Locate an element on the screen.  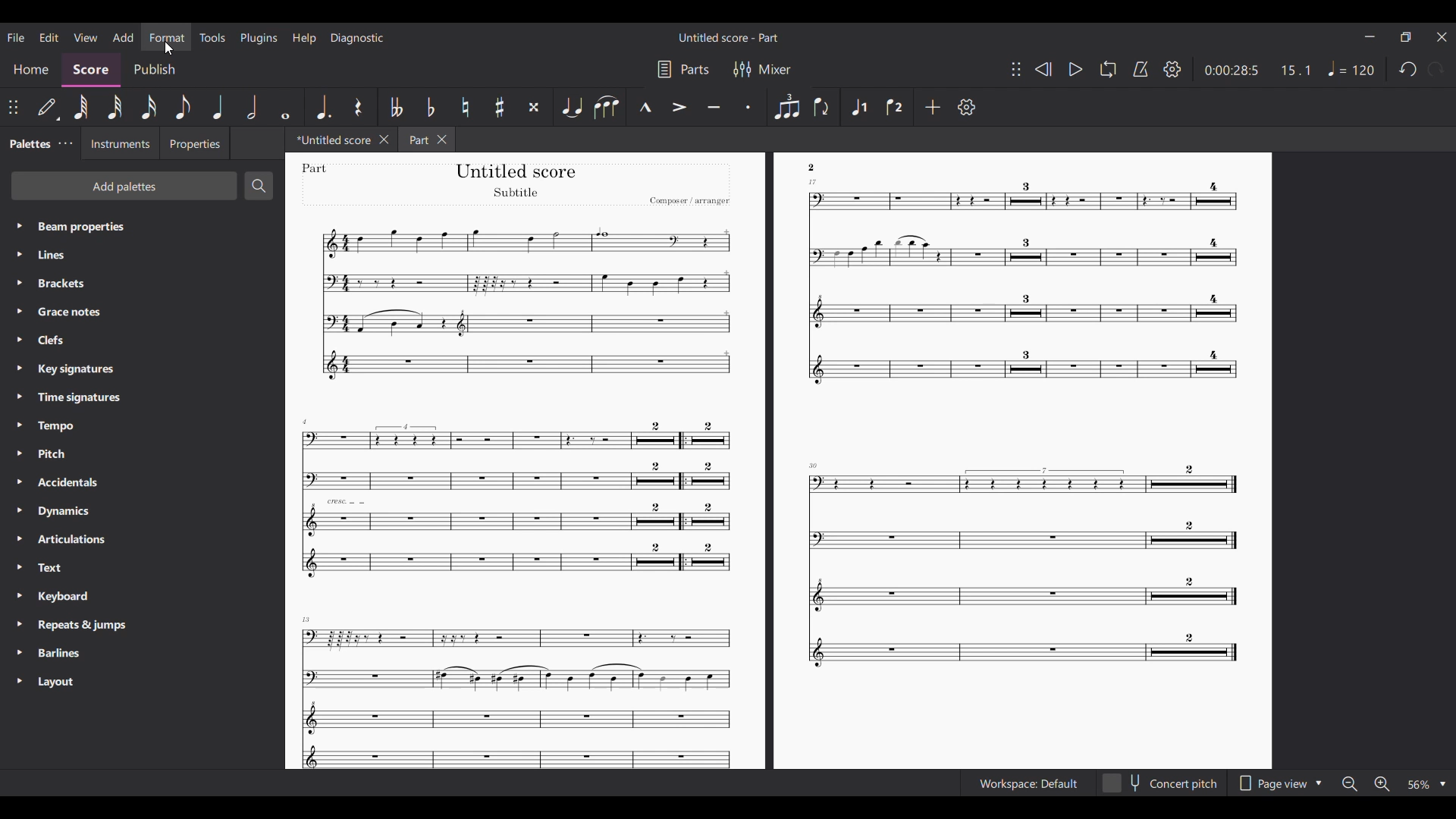
 is located at coordinates (693, 198).